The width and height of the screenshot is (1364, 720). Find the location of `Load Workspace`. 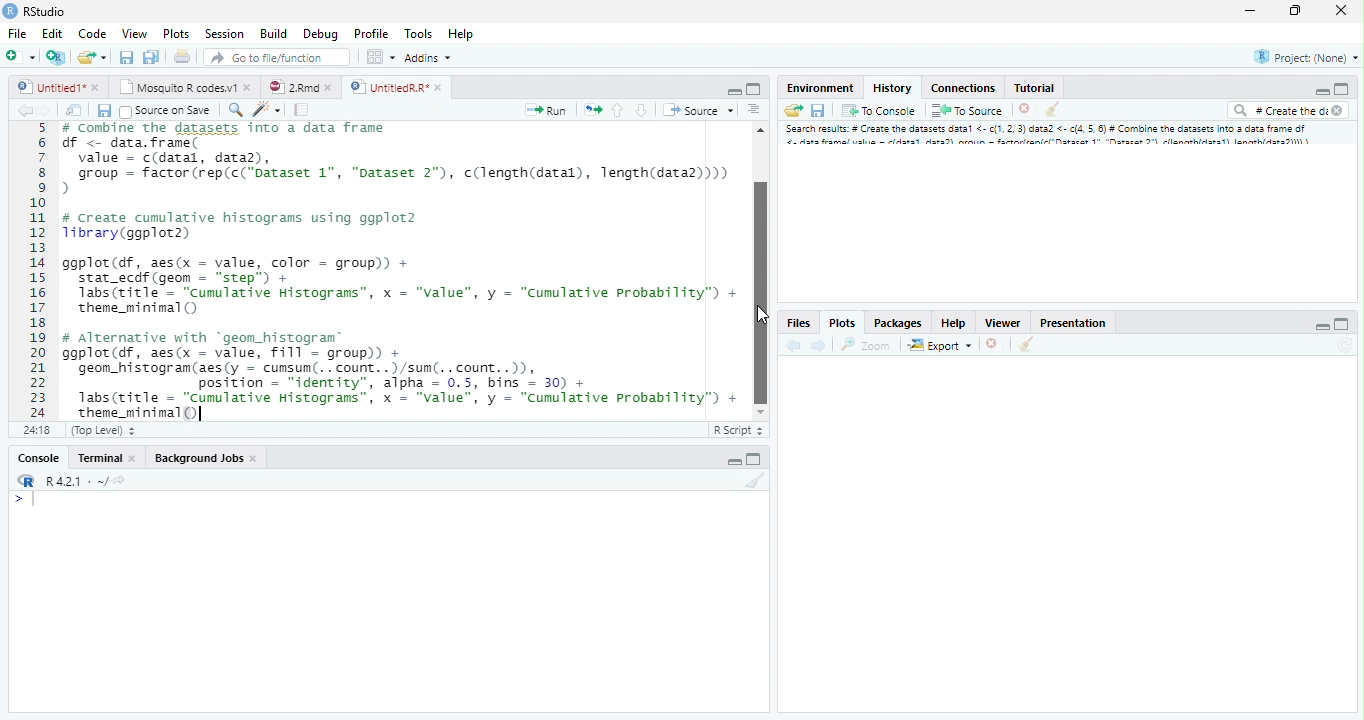

Load Workspace is located at coordinates (795, 113).